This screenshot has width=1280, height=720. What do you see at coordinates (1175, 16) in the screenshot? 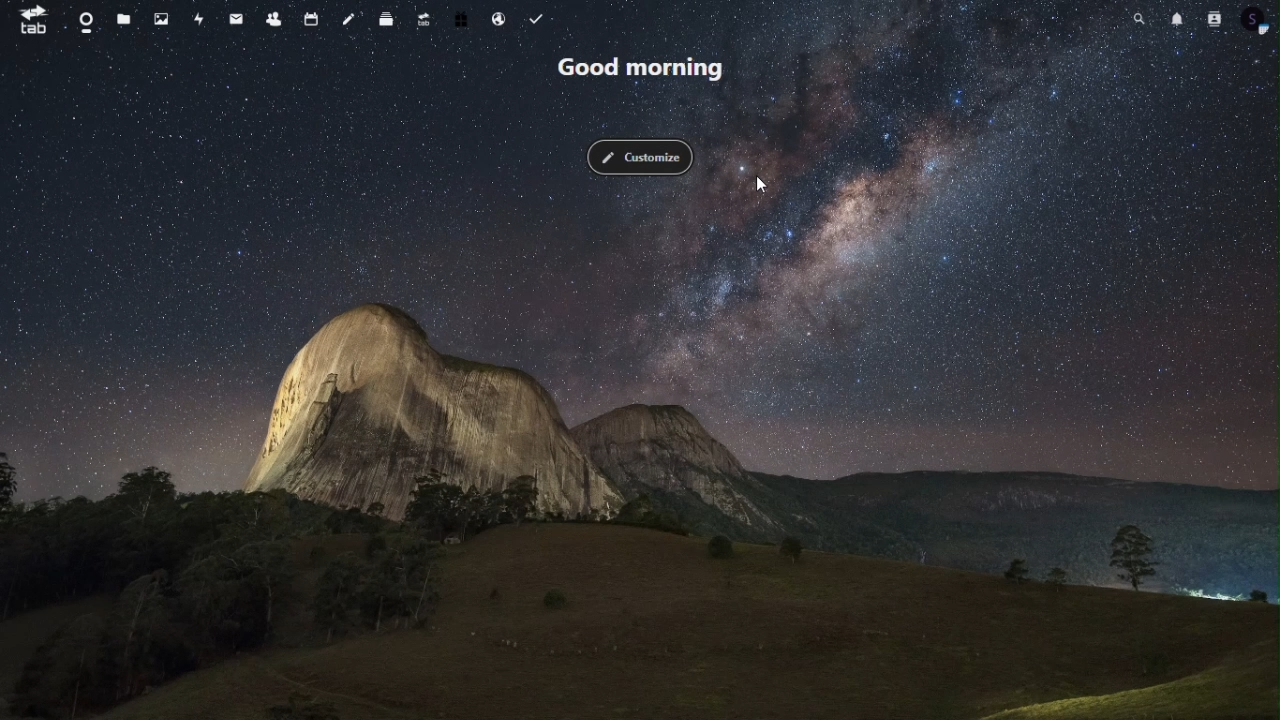
I see `notification` at bounding box center [1175, 16].